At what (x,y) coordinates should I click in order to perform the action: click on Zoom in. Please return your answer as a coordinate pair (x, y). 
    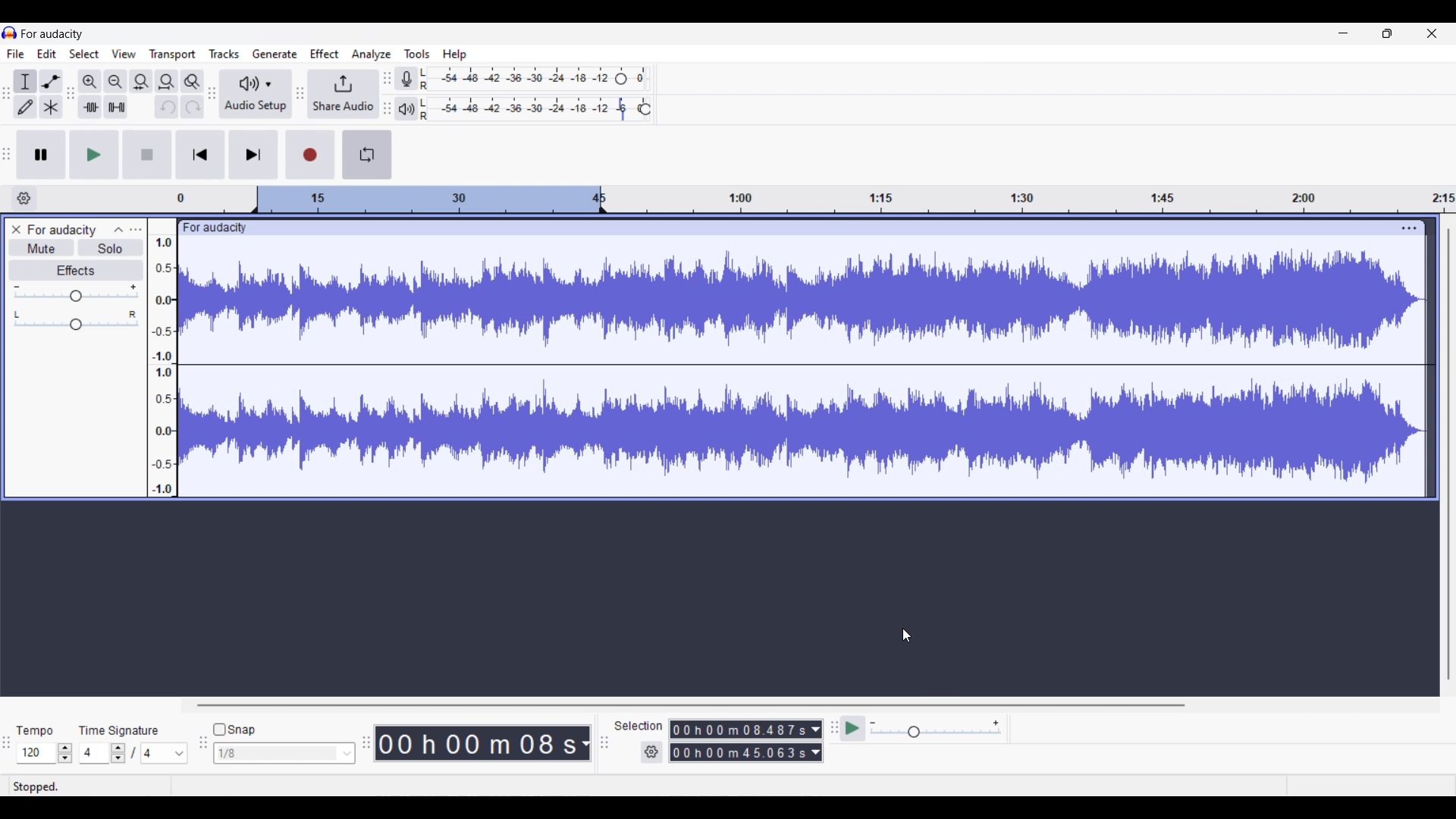
    Looking at the image, I should click on (89, 82).